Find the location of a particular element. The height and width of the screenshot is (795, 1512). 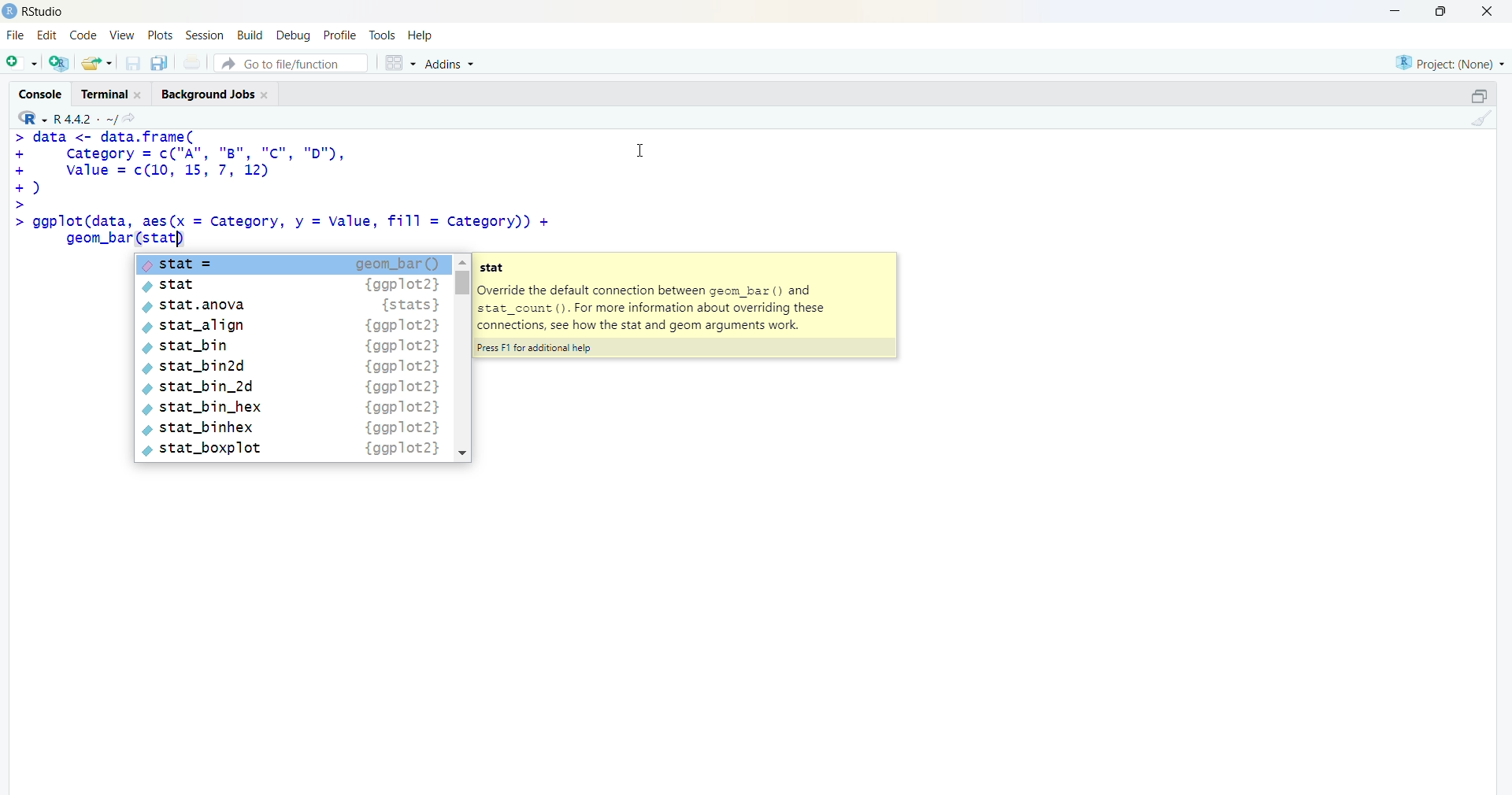

Rstudio is located at coordinates (48, 12).